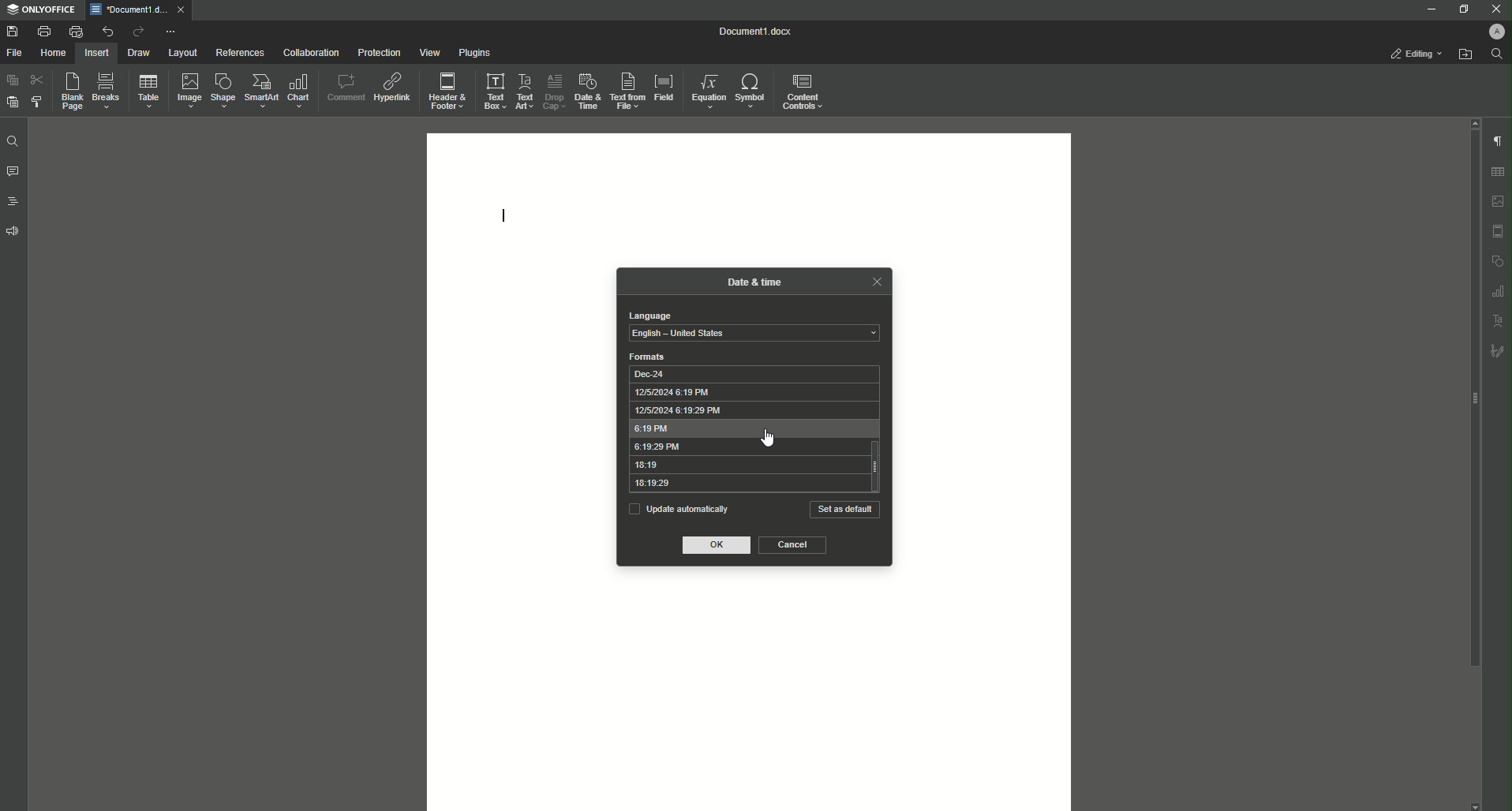  I want to click on Profile, so click(1495, 31).